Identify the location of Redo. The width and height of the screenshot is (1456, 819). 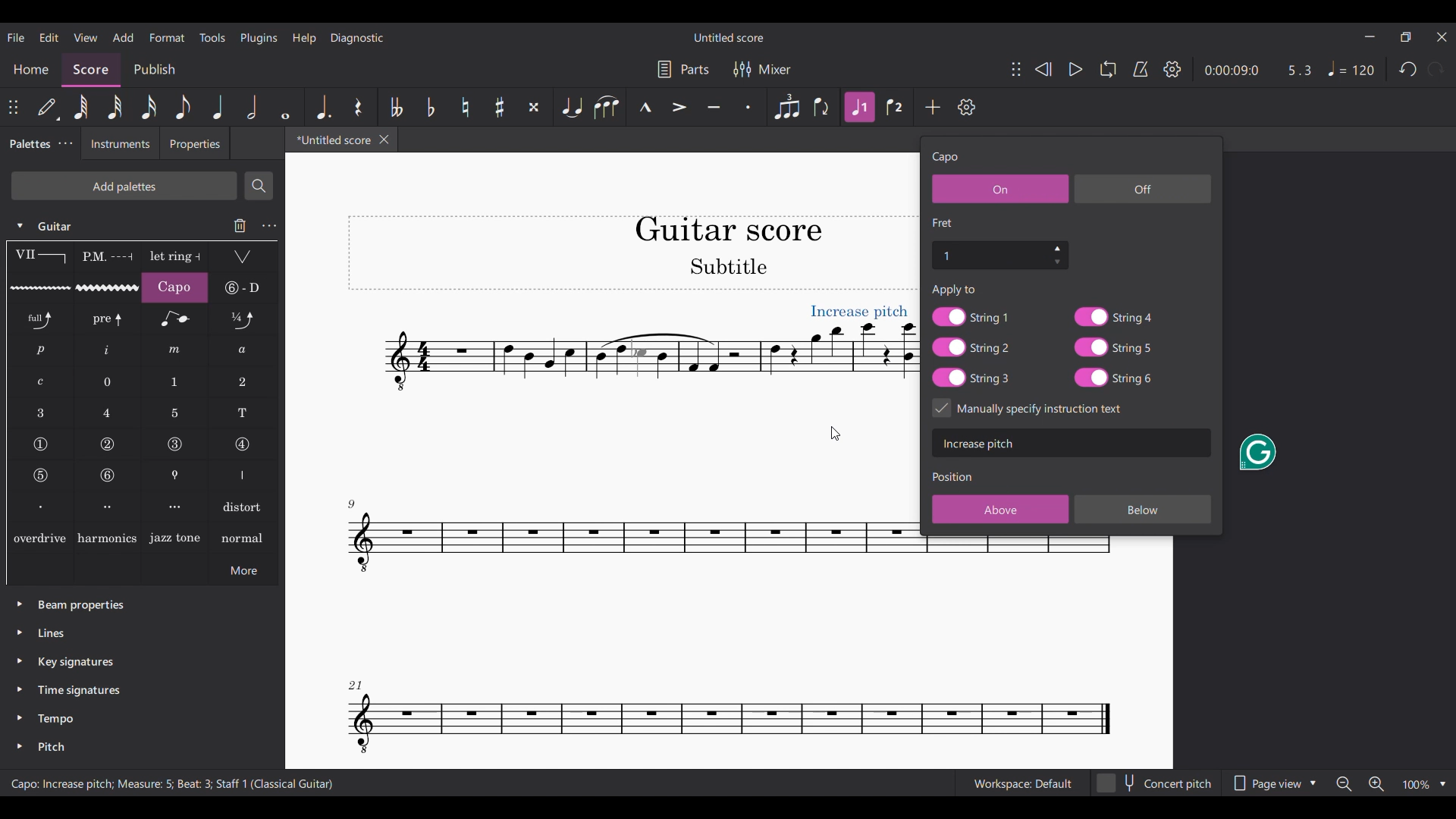
(1436, 69).